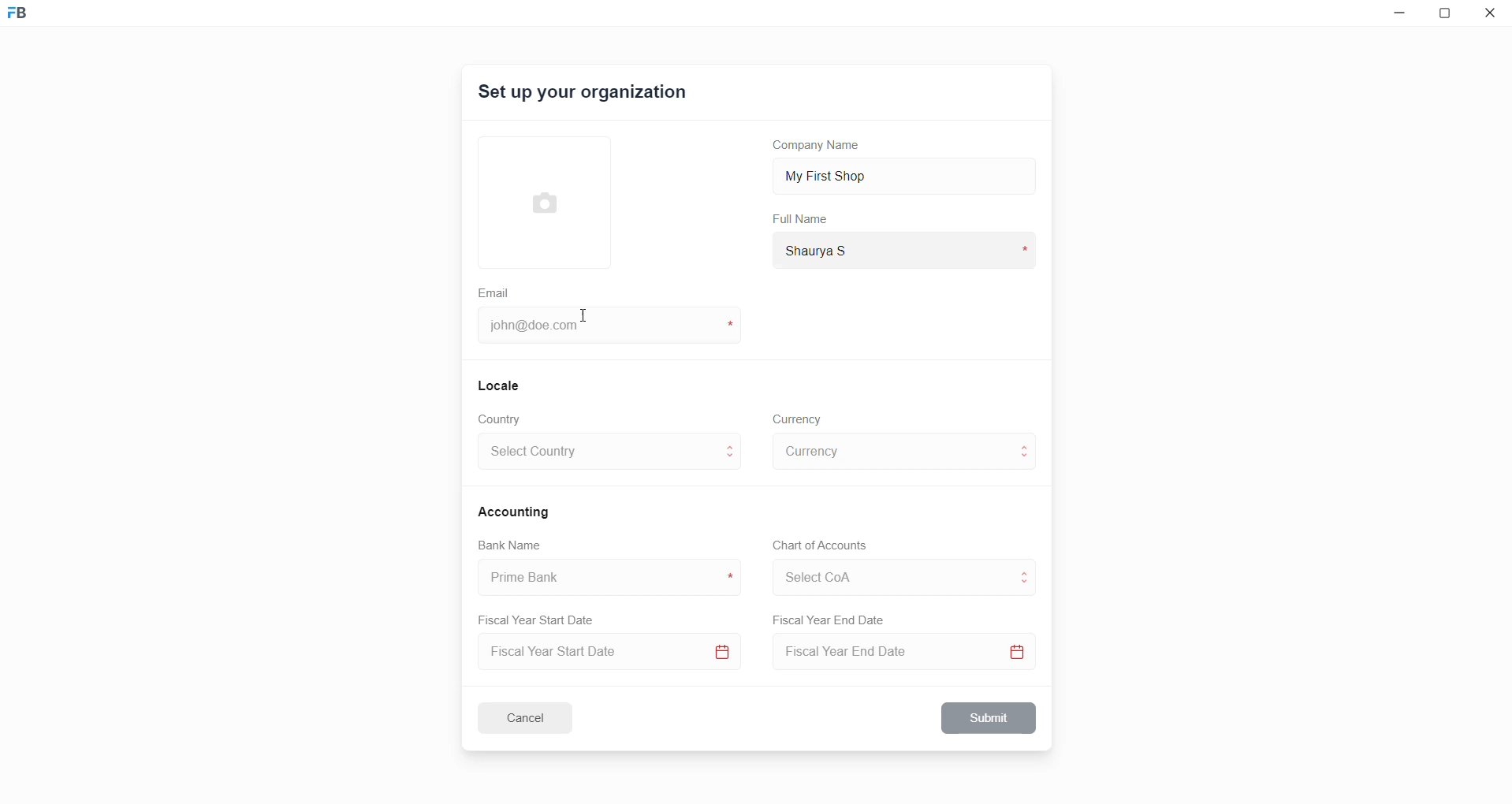  I want to click on move to below country, so click(733, 461).